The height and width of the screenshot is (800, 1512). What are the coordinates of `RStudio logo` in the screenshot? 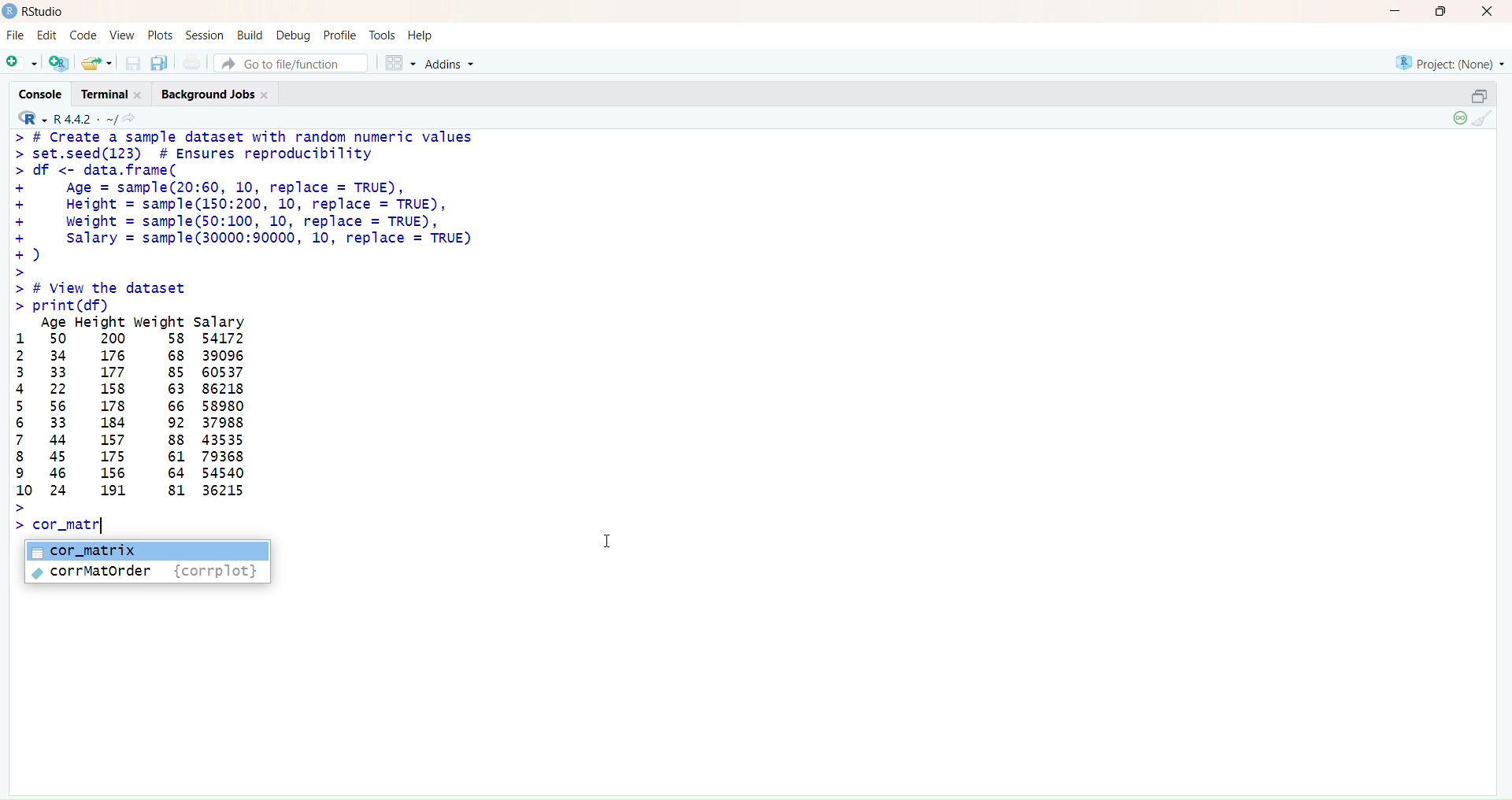 It's located at (28, 117).